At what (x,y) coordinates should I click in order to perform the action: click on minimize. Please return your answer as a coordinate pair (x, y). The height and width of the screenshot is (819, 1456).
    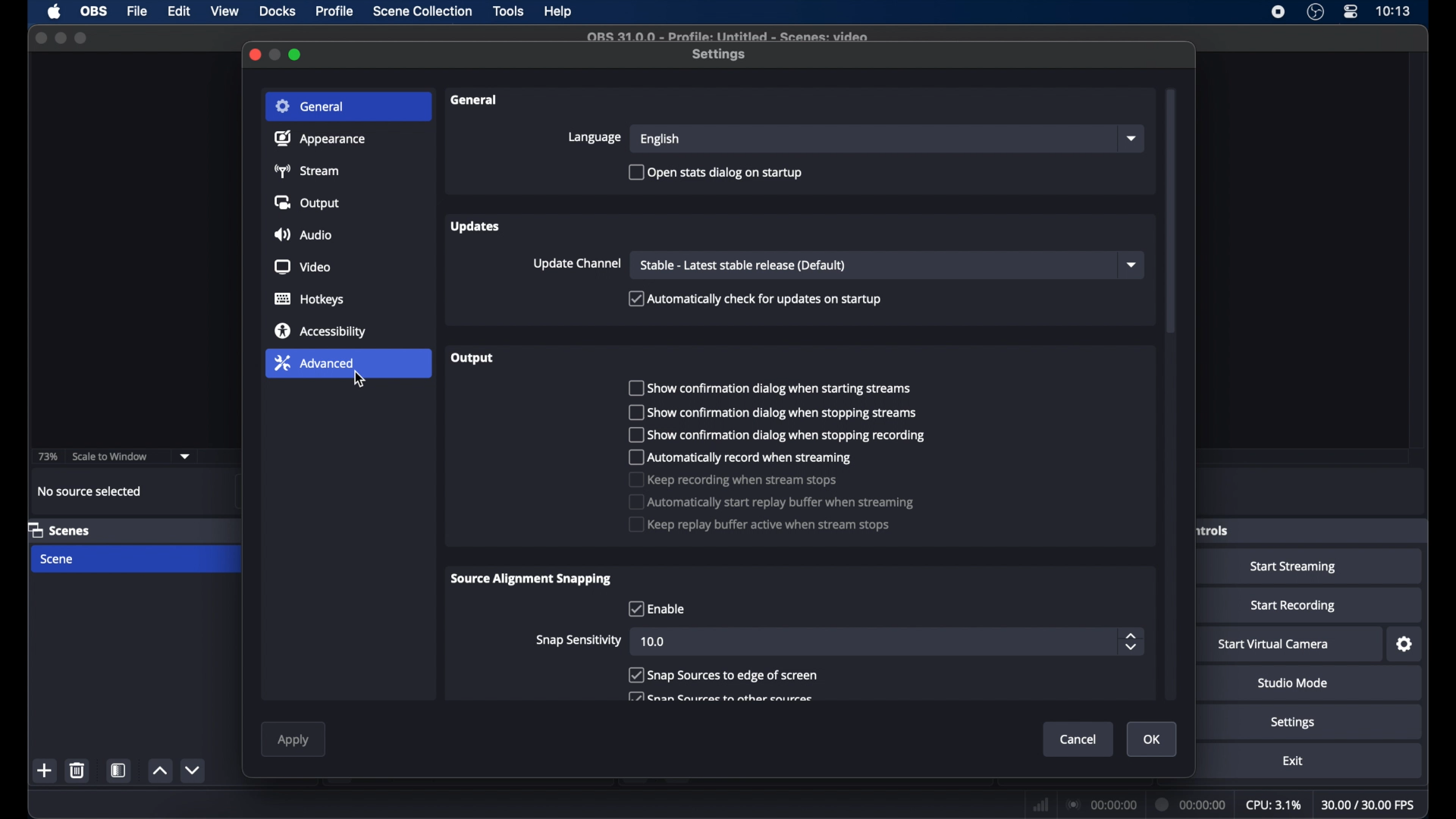
    Looking at the image, I should click on (60, 38).